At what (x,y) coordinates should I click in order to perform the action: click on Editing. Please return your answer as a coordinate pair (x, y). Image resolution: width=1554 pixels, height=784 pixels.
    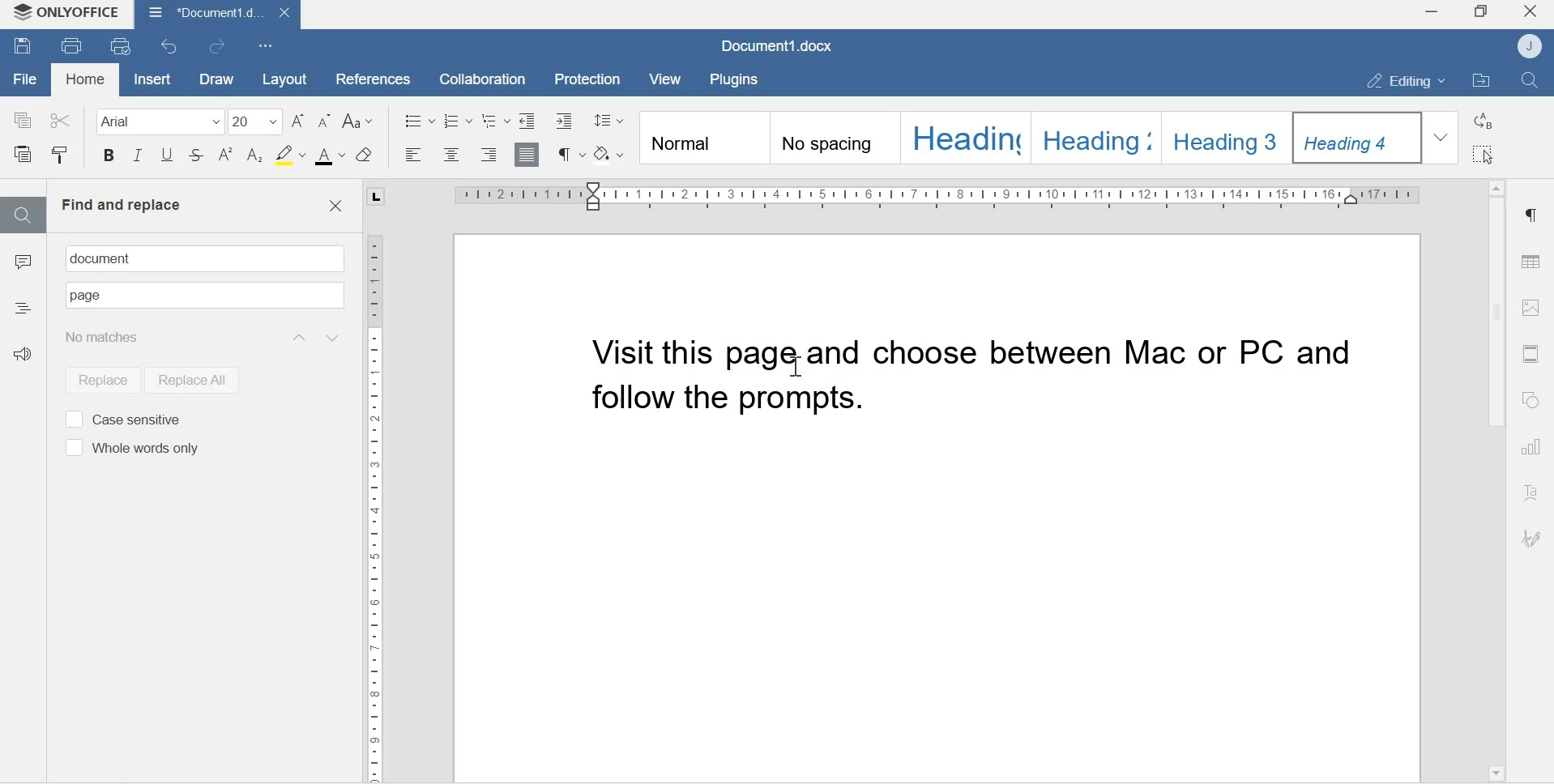
    Looking at the image, I should click on (1398, 80).